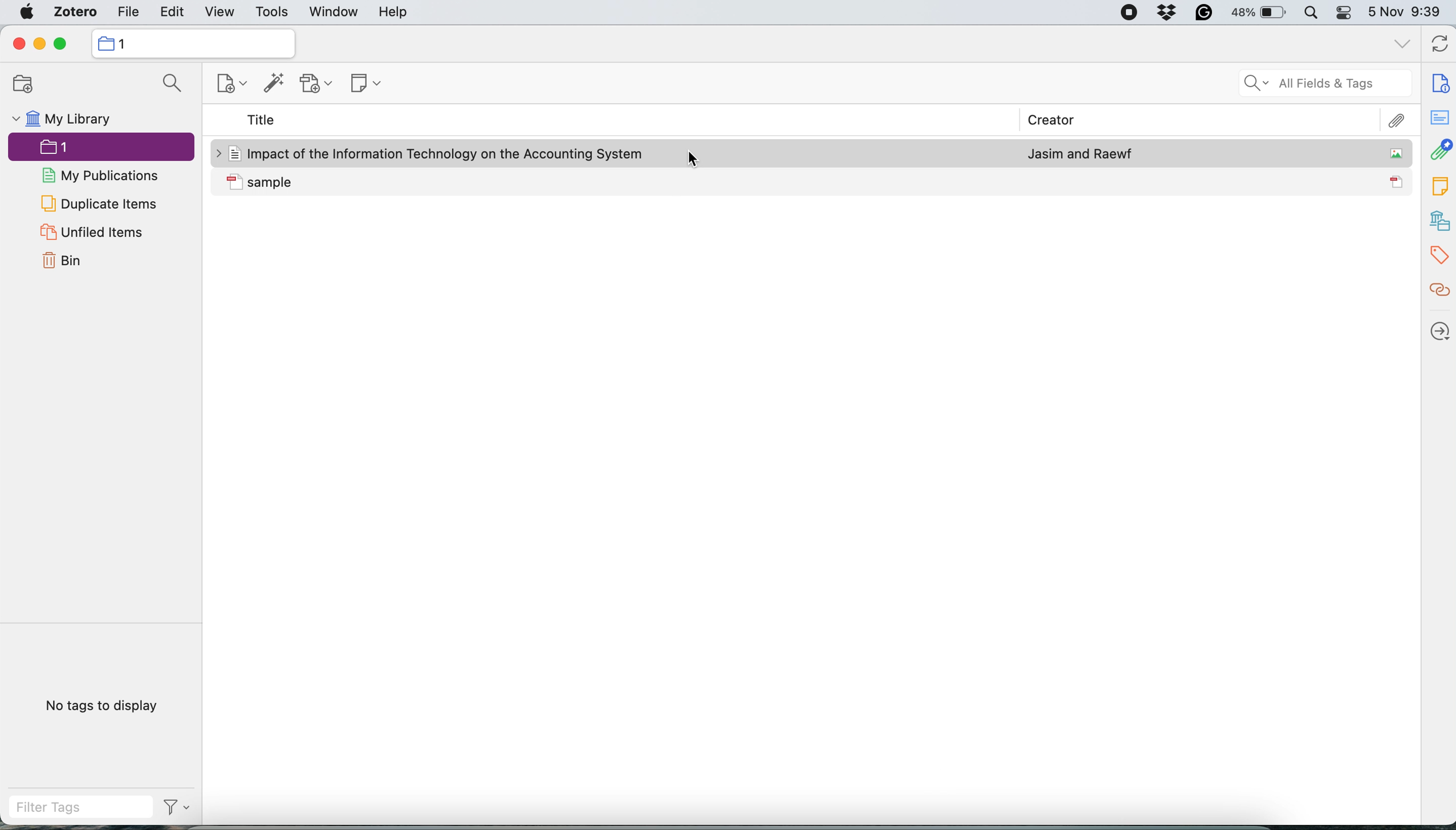 The image size is (1456, 830). I want to click on related, so click(1439, 290).